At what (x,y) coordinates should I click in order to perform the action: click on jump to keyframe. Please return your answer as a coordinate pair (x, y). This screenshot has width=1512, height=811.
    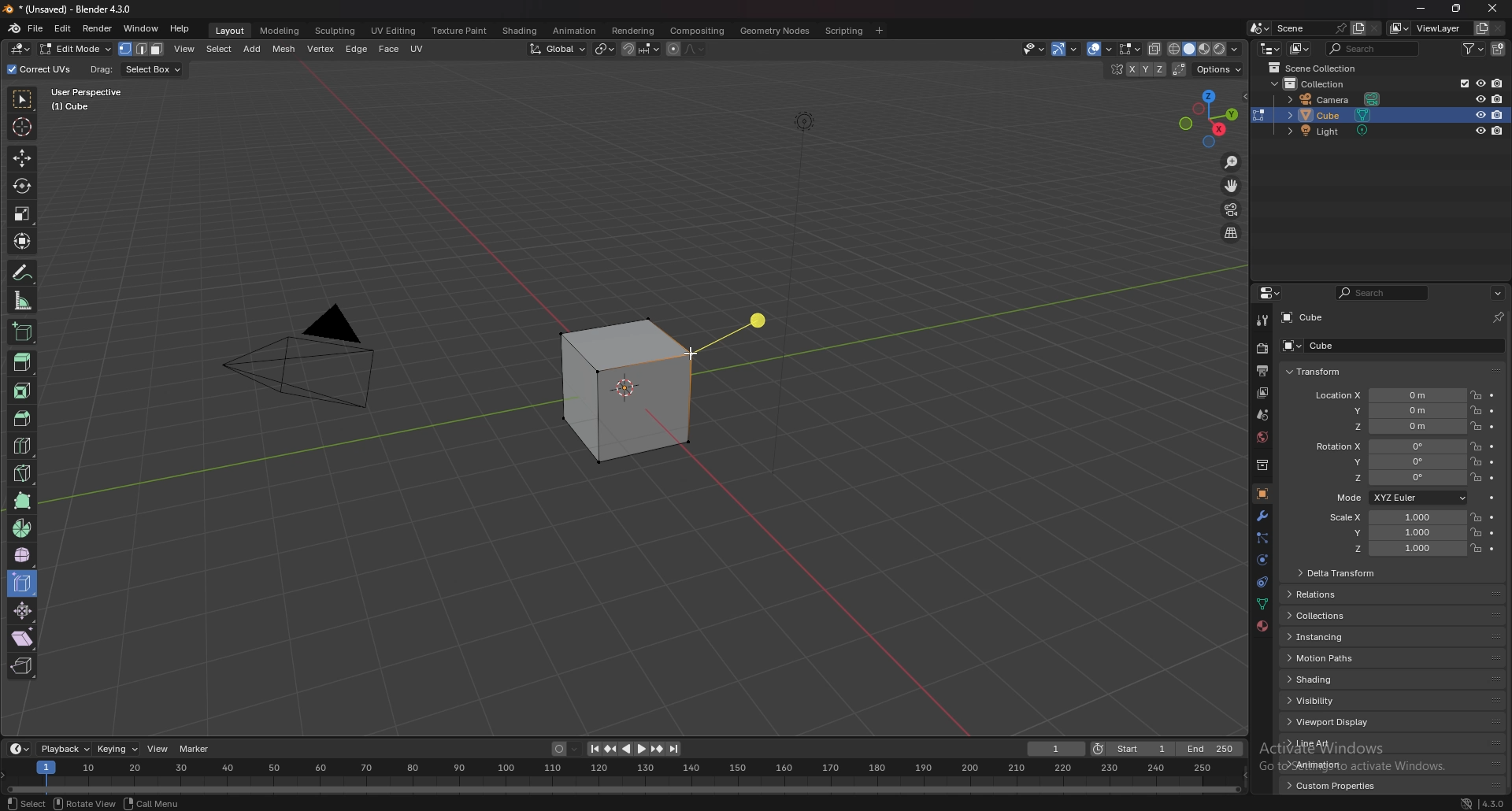
    Looking at the image, I should click on (611, 749).